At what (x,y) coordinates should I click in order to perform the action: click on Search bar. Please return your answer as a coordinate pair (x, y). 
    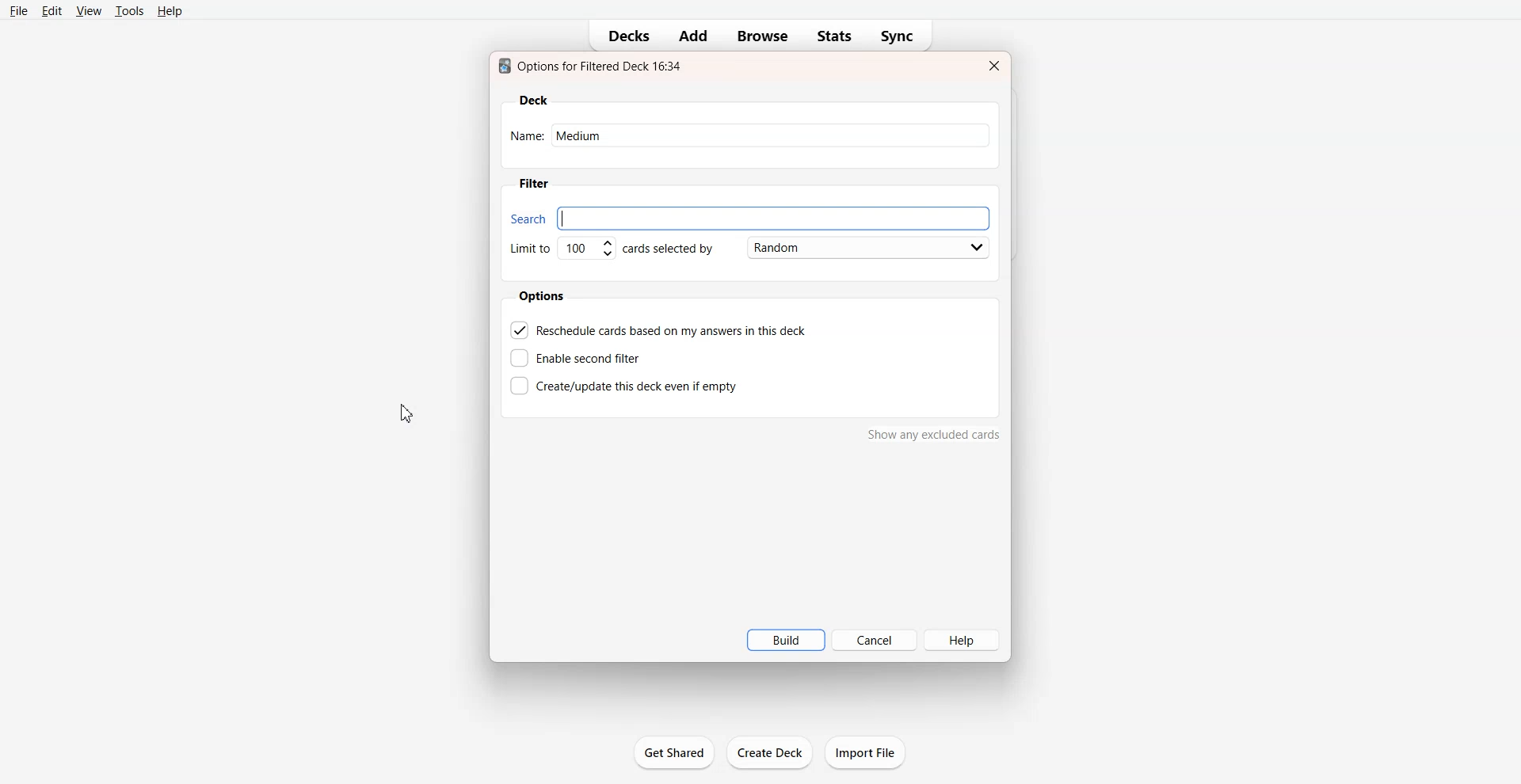
    Looking at the image, I should click on (745, 215).